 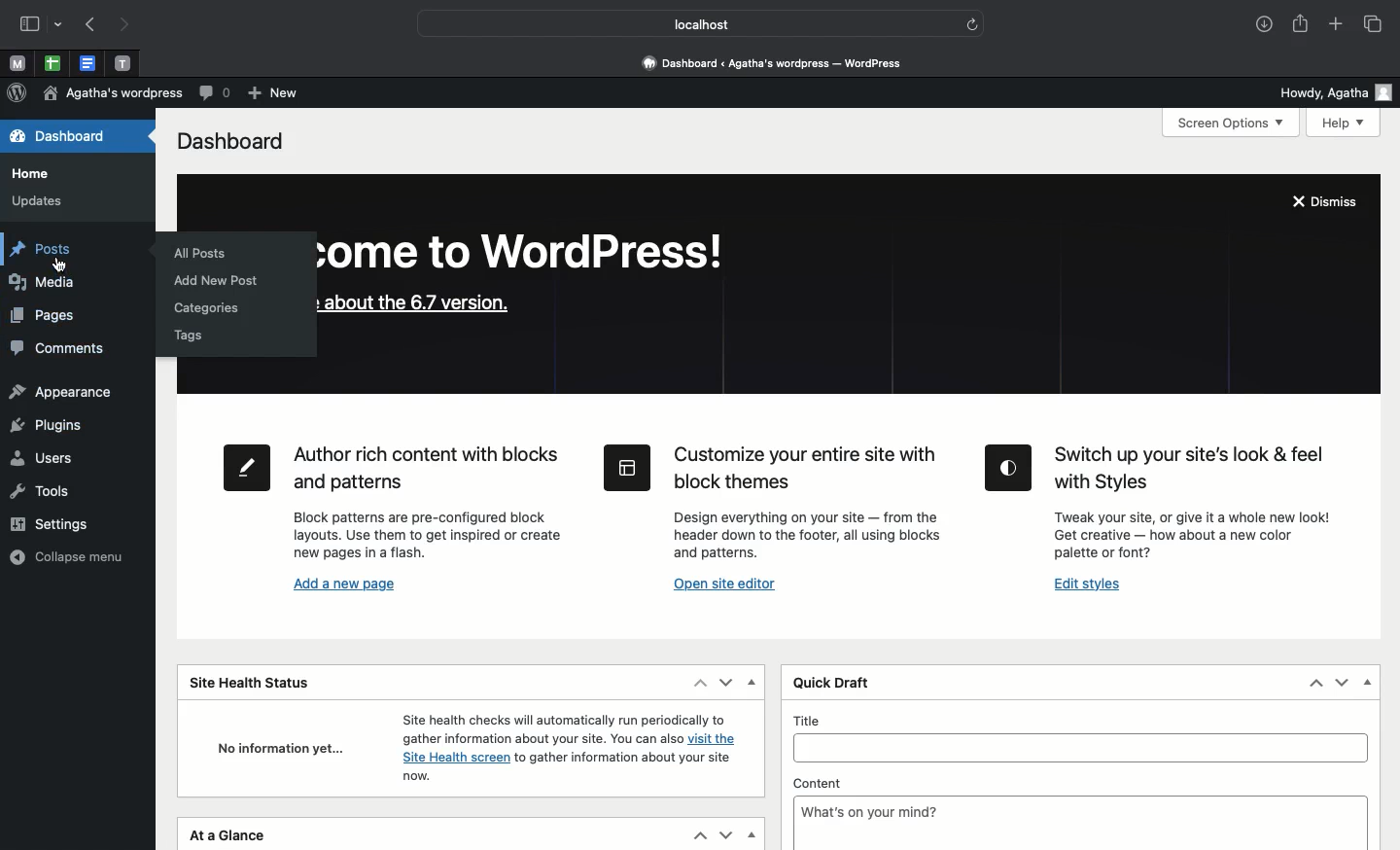 I want to click on to gather information about your site, so click(x=624, y=760).